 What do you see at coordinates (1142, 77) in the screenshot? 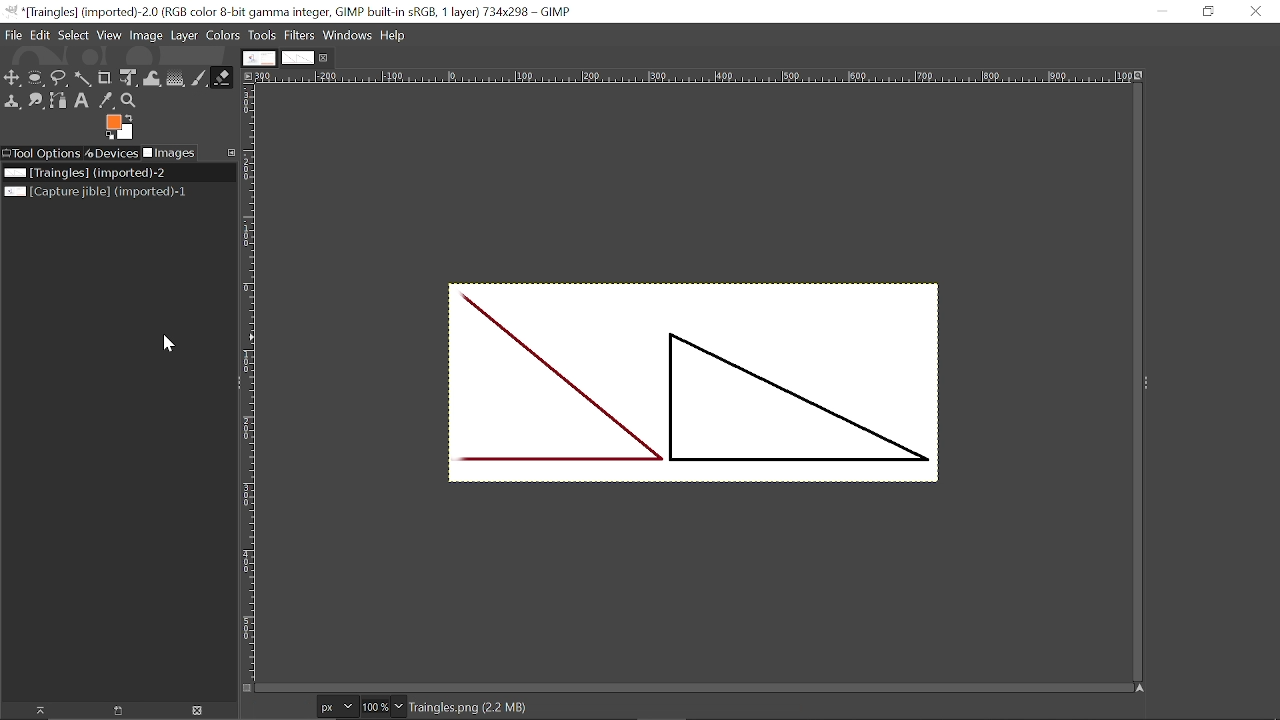
I see `Zoom when window size changes` at bounding box center [1142, 77].